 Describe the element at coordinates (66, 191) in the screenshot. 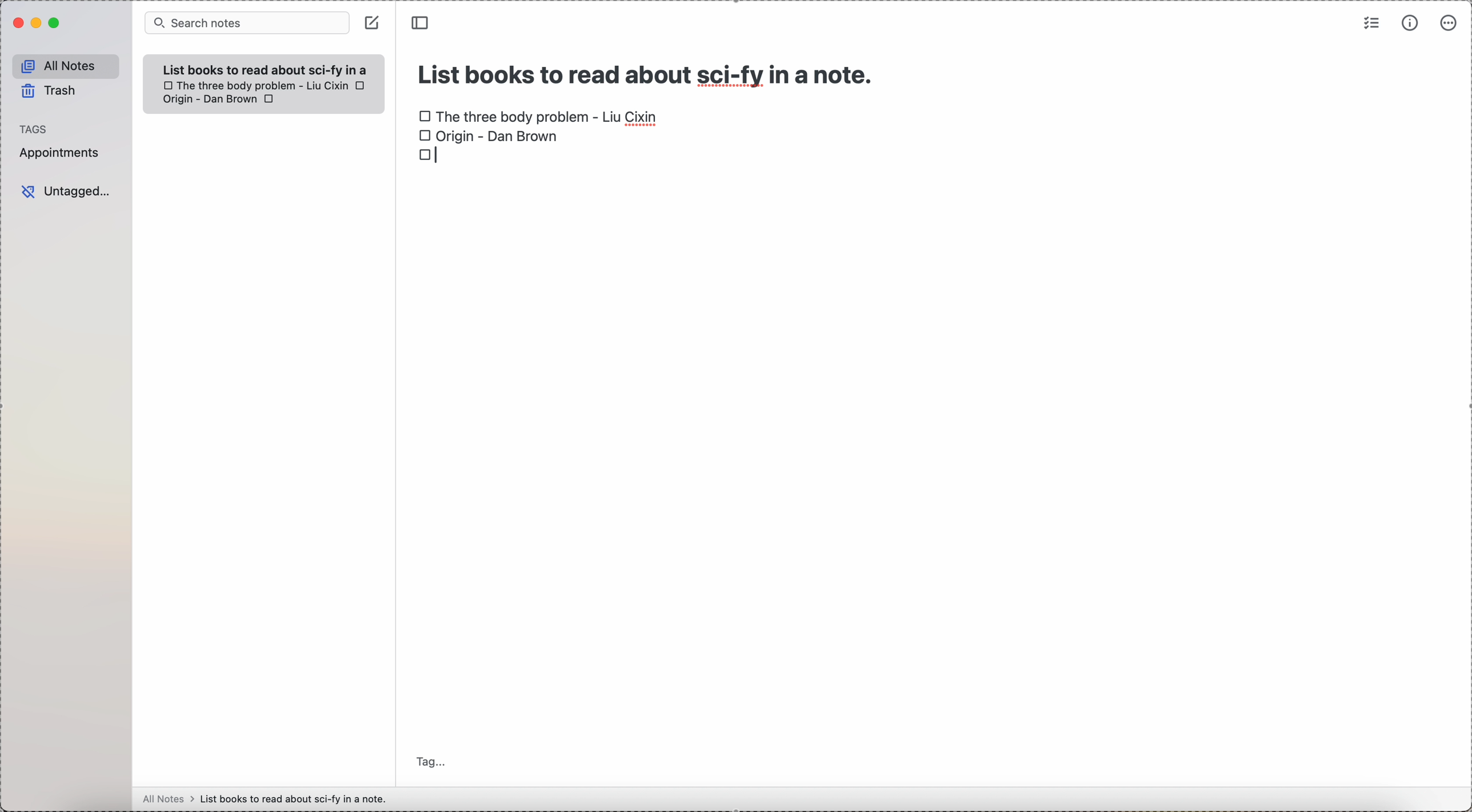

I see `untagged` at that location.